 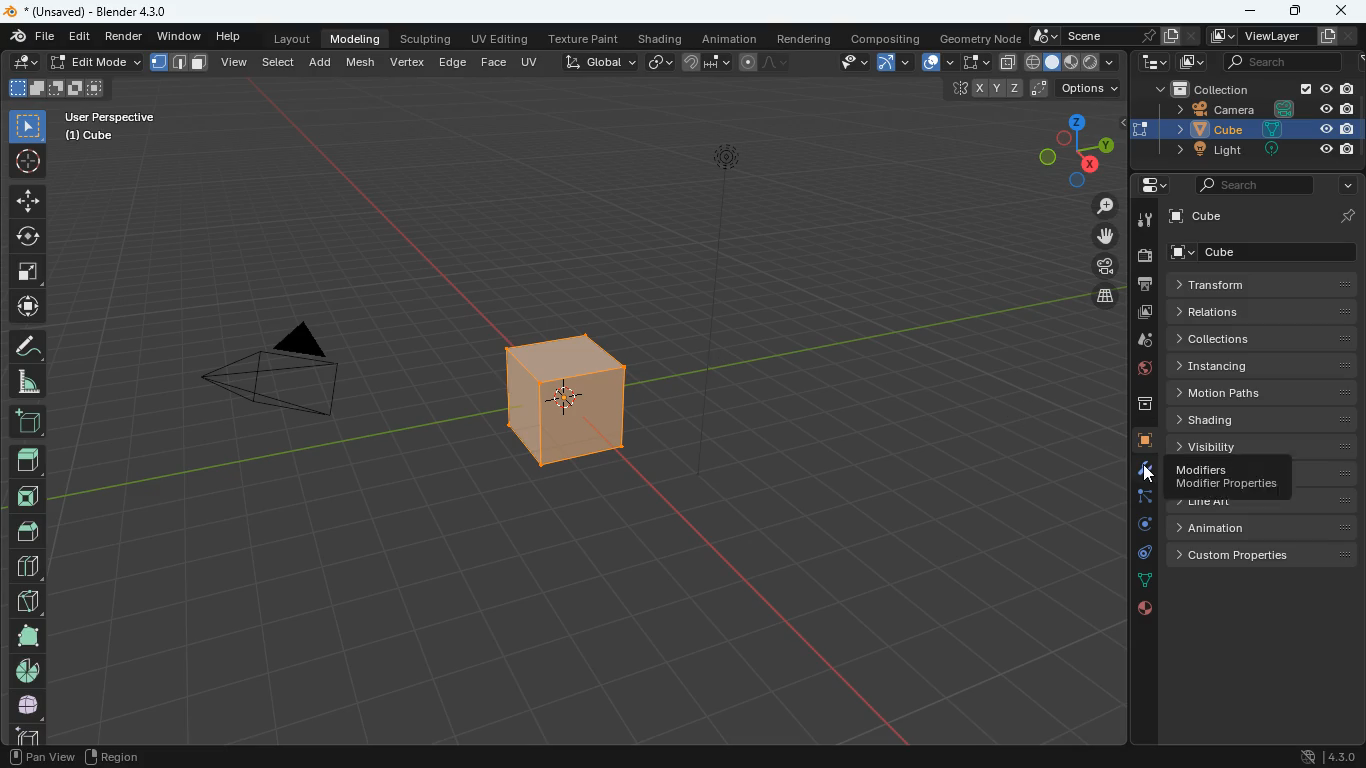 What do you see at coordinates (703, 61) in the screenshot?
I see `join` at bounding box center [703, 61].